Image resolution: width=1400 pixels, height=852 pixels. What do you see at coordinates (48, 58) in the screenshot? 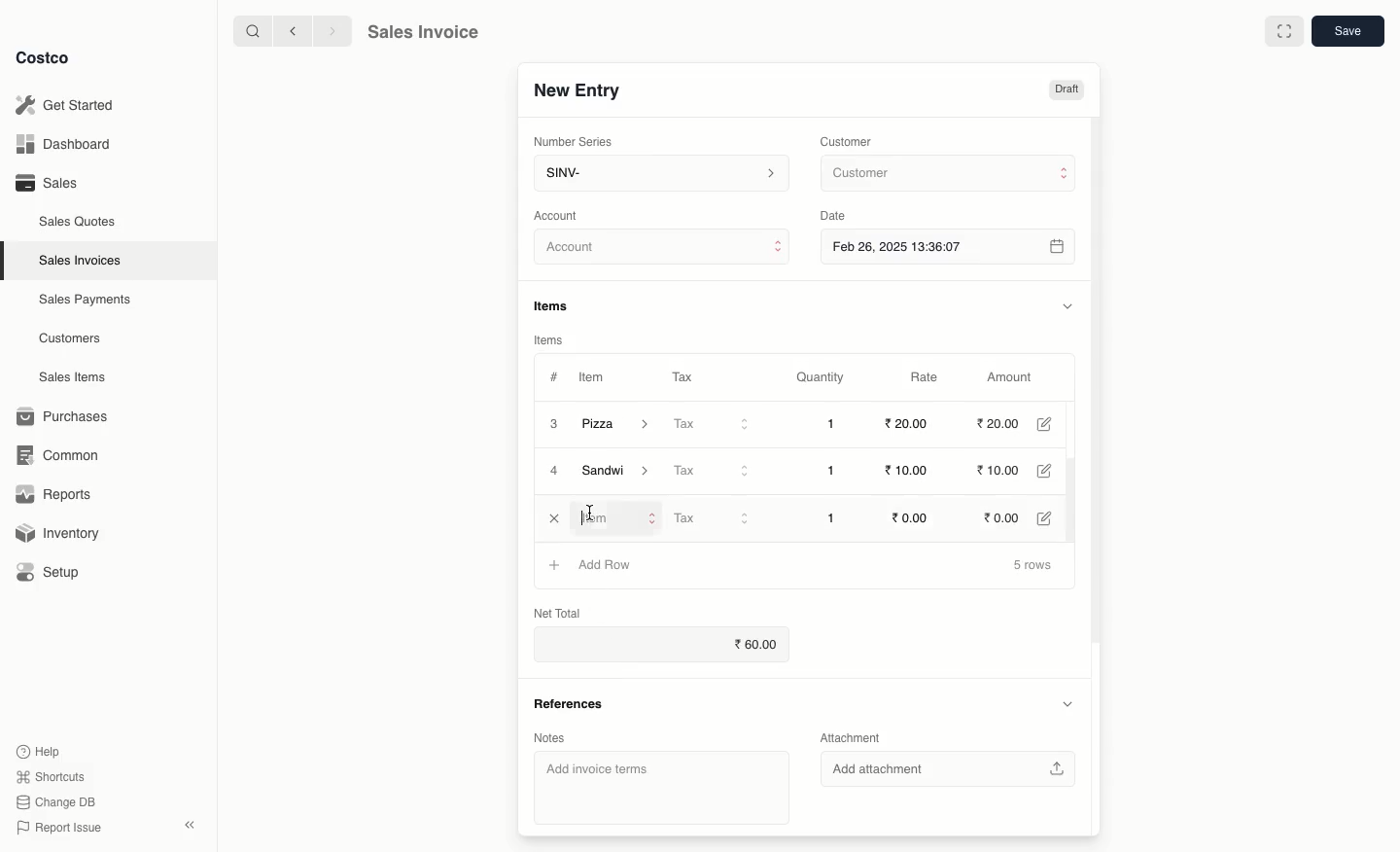
I see `Costco` at bounding box center [48, 58].